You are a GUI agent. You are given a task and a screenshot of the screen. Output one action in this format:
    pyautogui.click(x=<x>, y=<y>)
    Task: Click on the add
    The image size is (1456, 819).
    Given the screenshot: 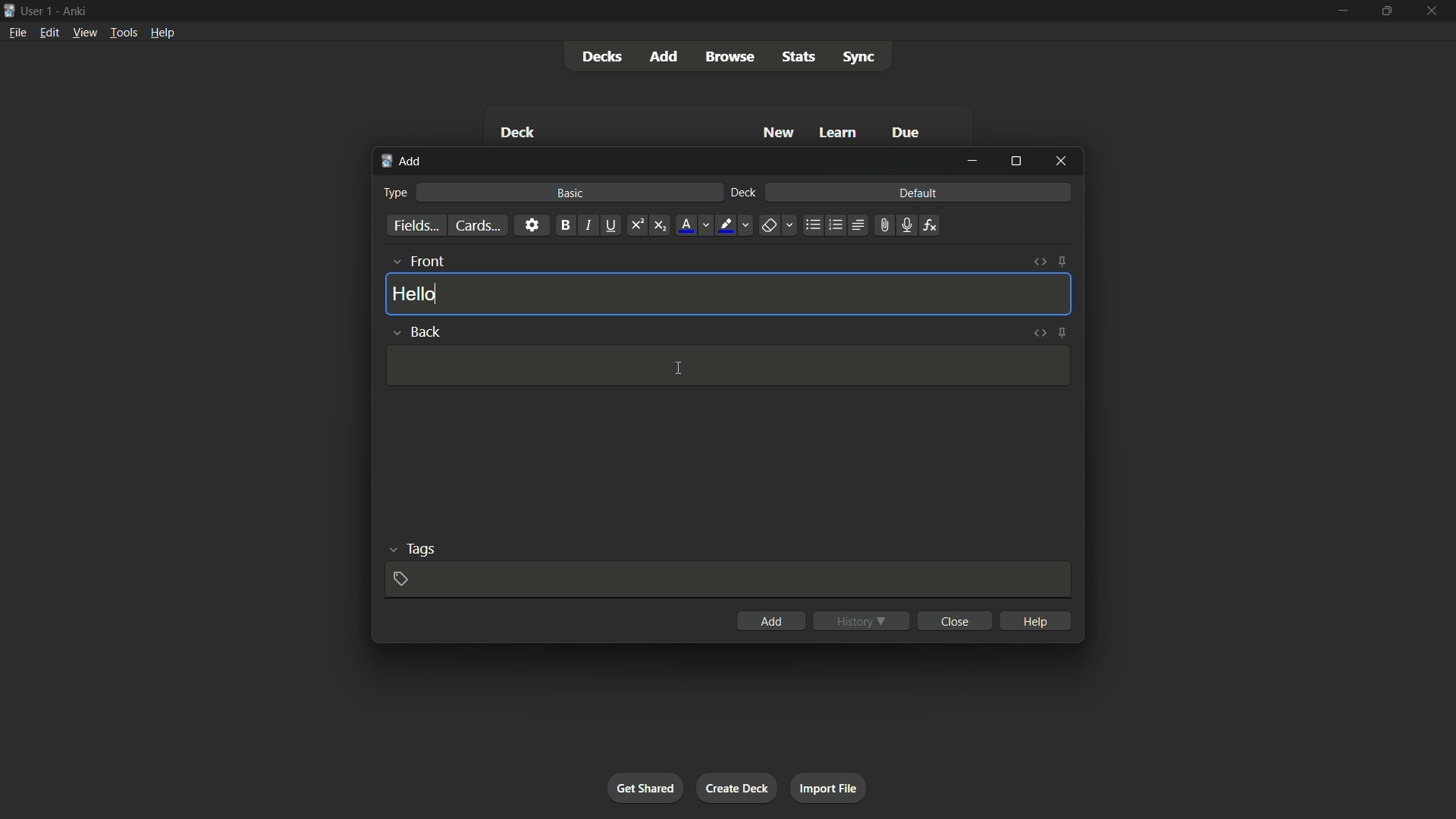 What is the action you would take?
    pyautogui.click(x=773, y=620)
    